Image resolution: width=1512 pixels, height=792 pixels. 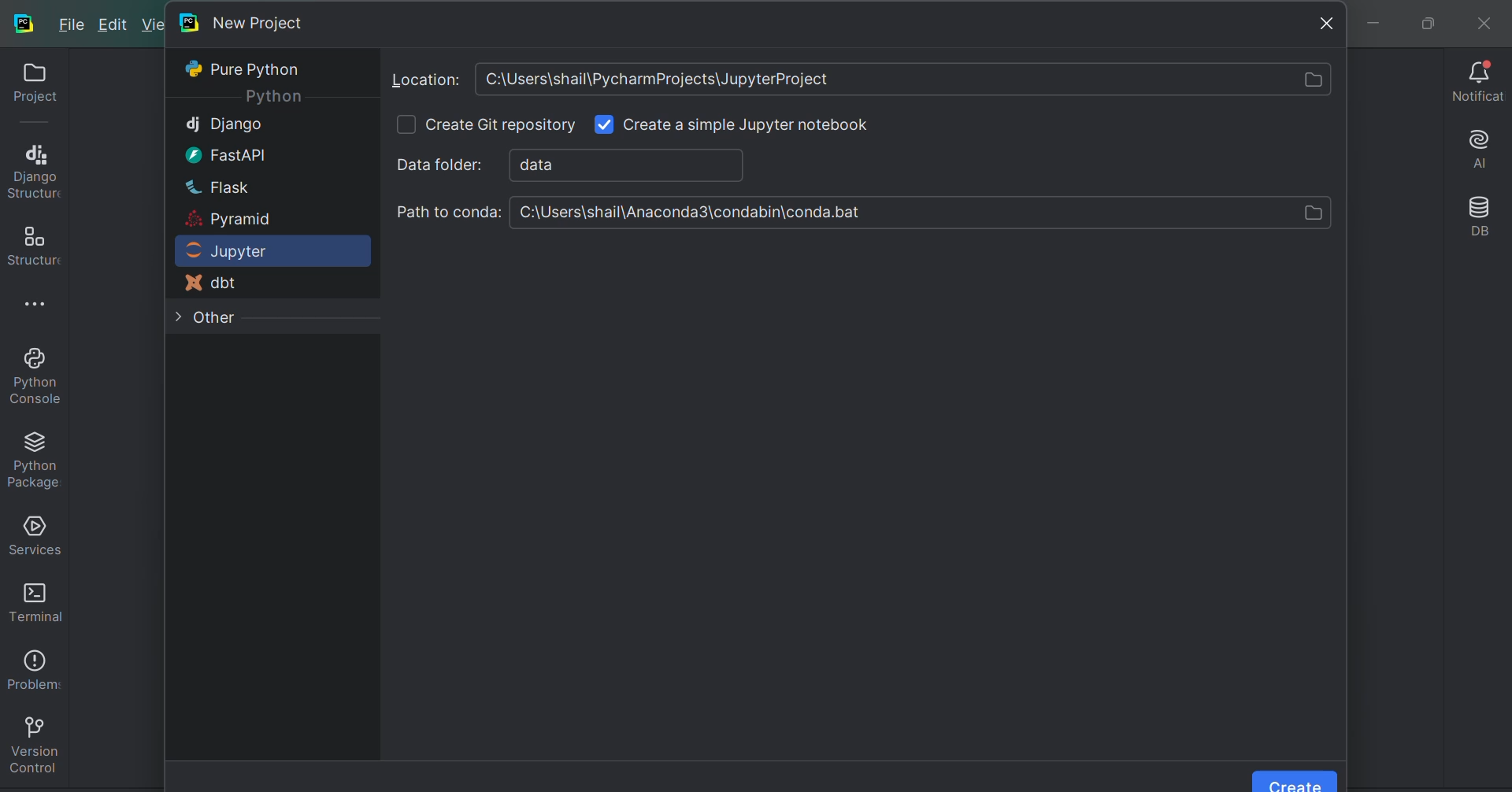 What do you see at coordinates (32, 241) in the screenshot?
I see `Structures` at bounding box center [32, 241].